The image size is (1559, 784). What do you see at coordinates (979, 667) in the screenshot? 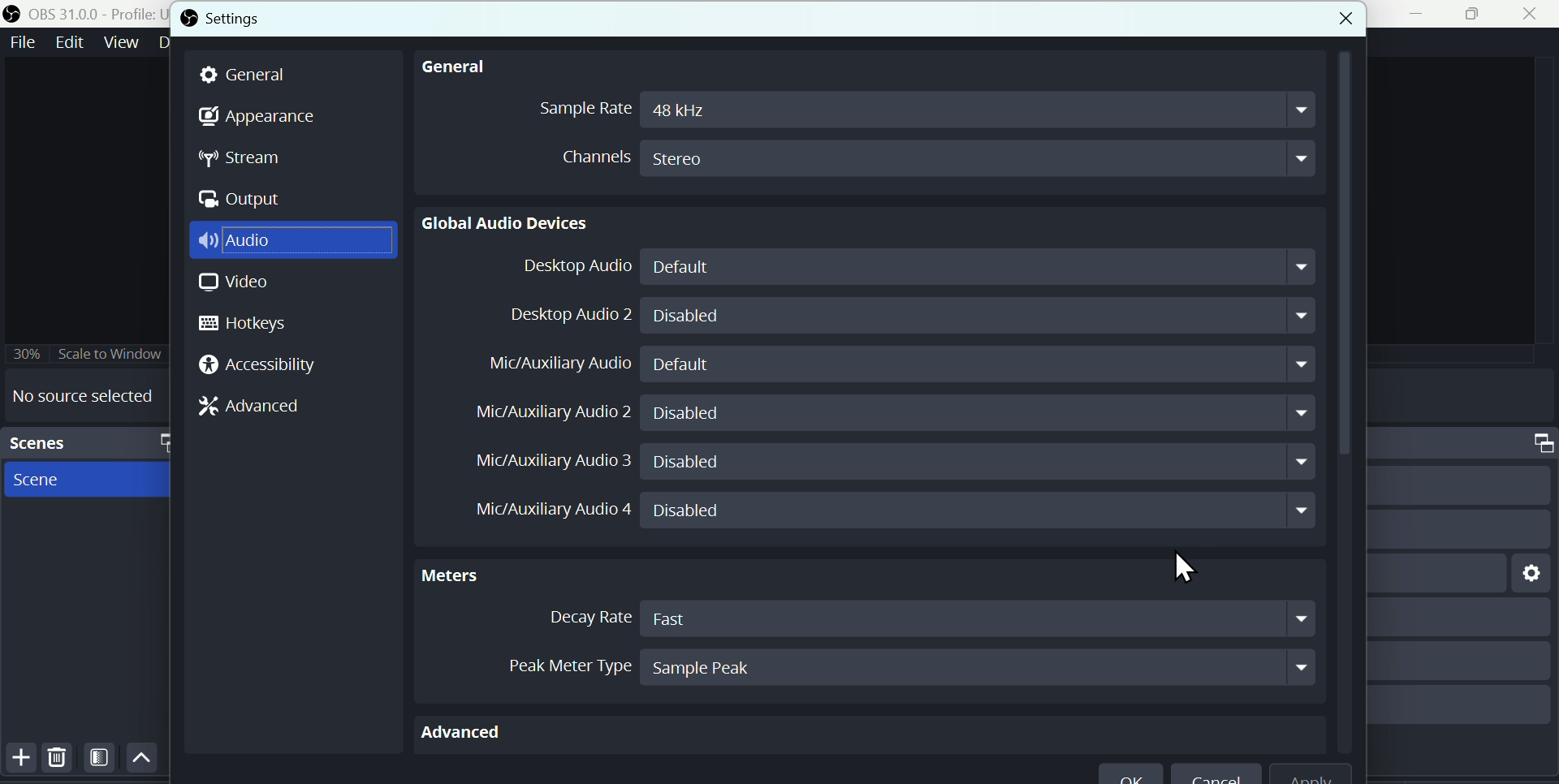
I see `Sample Peak` at bounding box center [979, 667].